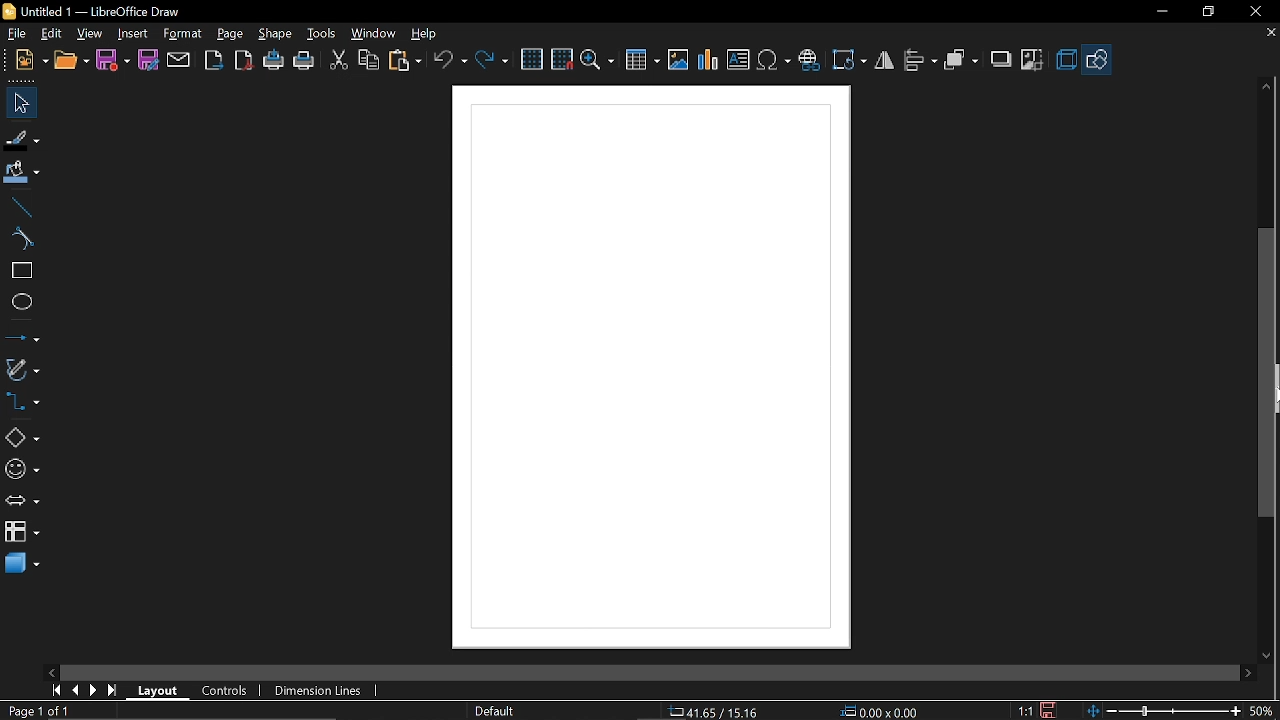  Describe the element at coordinates (21, 239) in the screenshot. I see `curve` at that location.